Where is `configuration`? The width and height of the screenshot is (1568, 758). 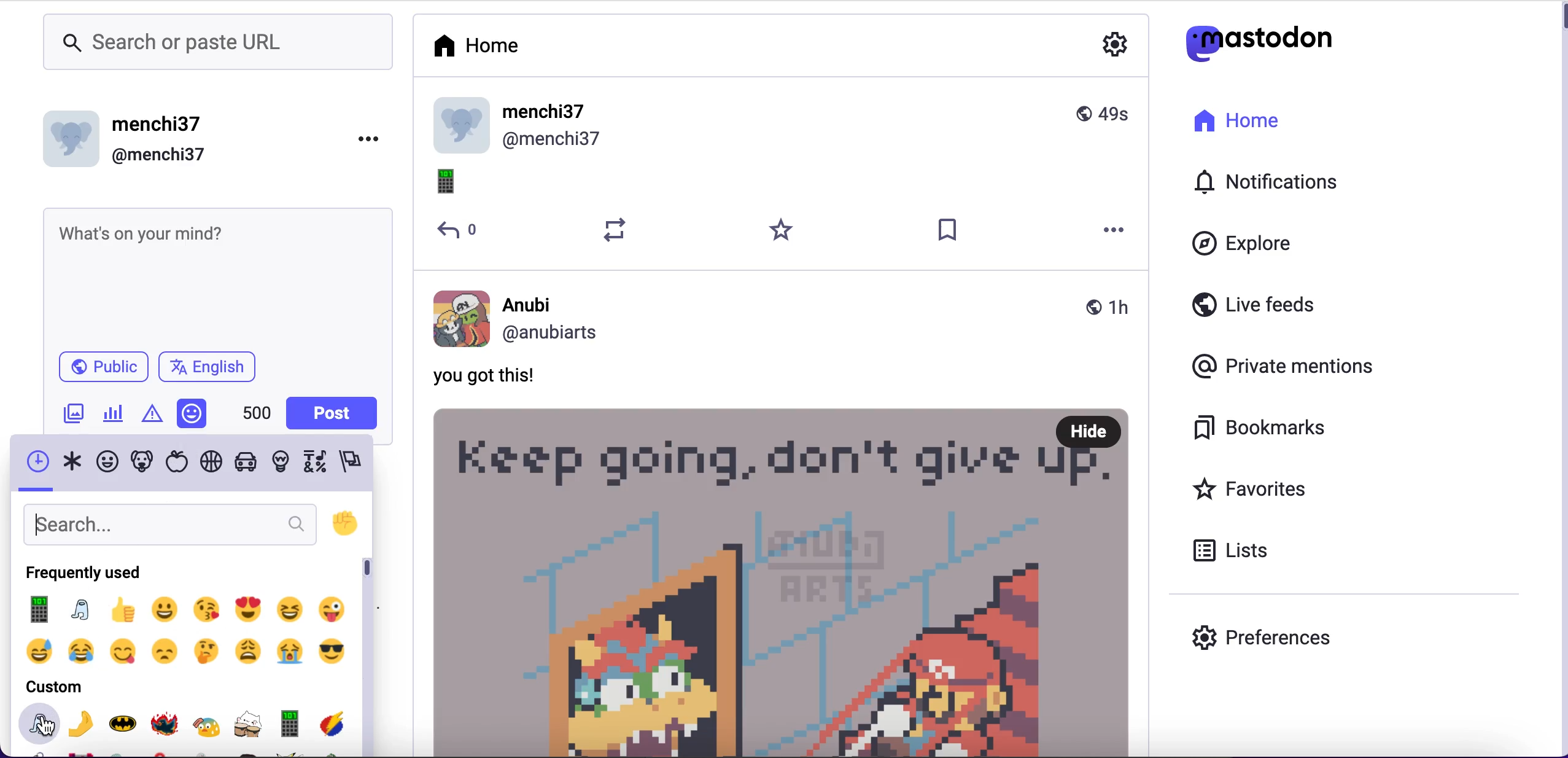 configuration is located at coordinates (1117, 47).